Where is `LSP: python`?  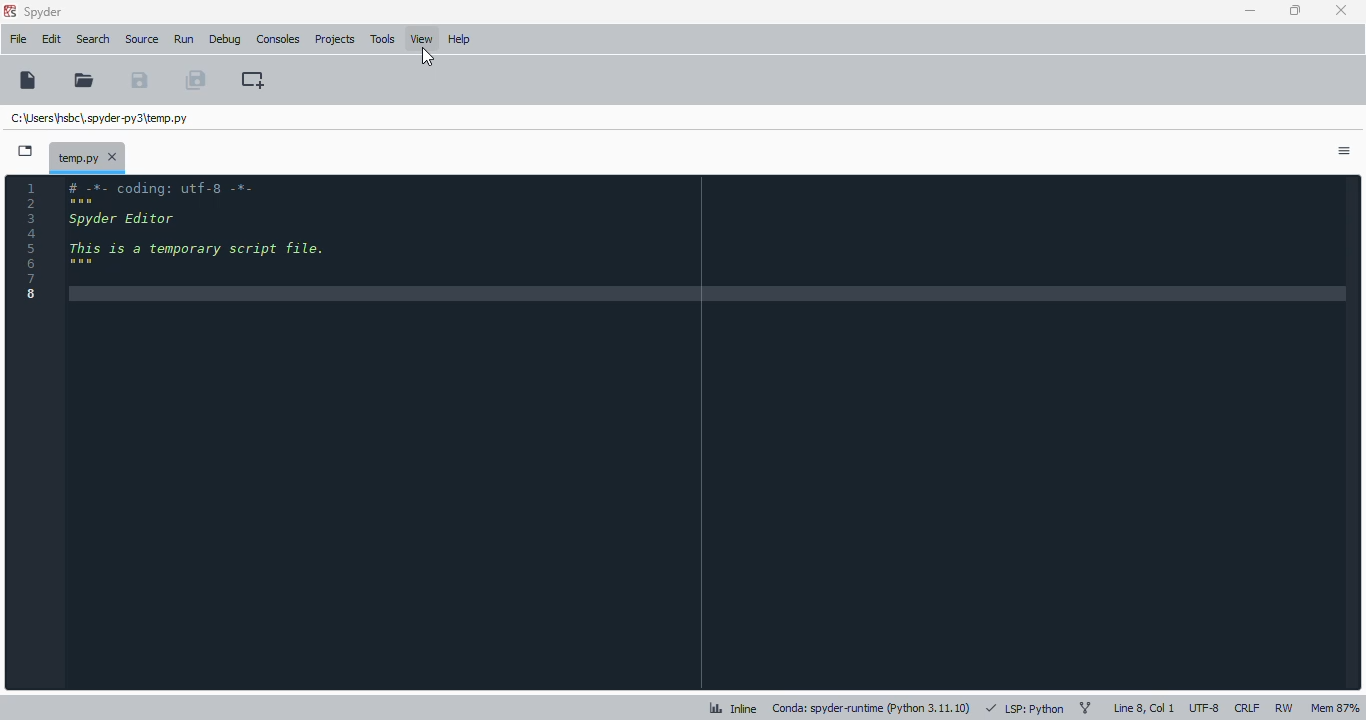
LSP: python is located at coordinates (1024, 707).